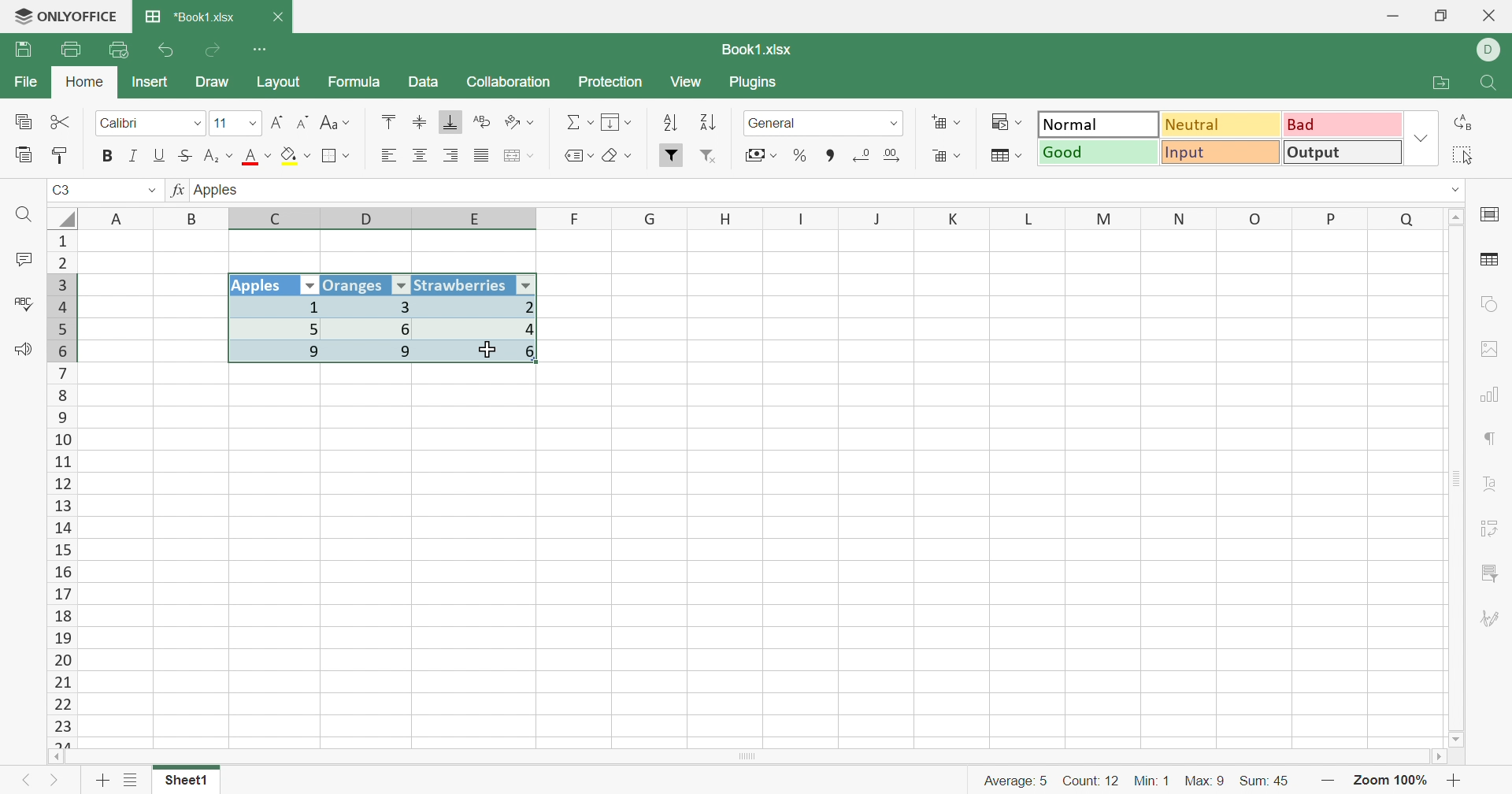  What do you see at coordinates (528, 284) in the screenshot?
I see `Autofilter` at bounding box center [528, 284].